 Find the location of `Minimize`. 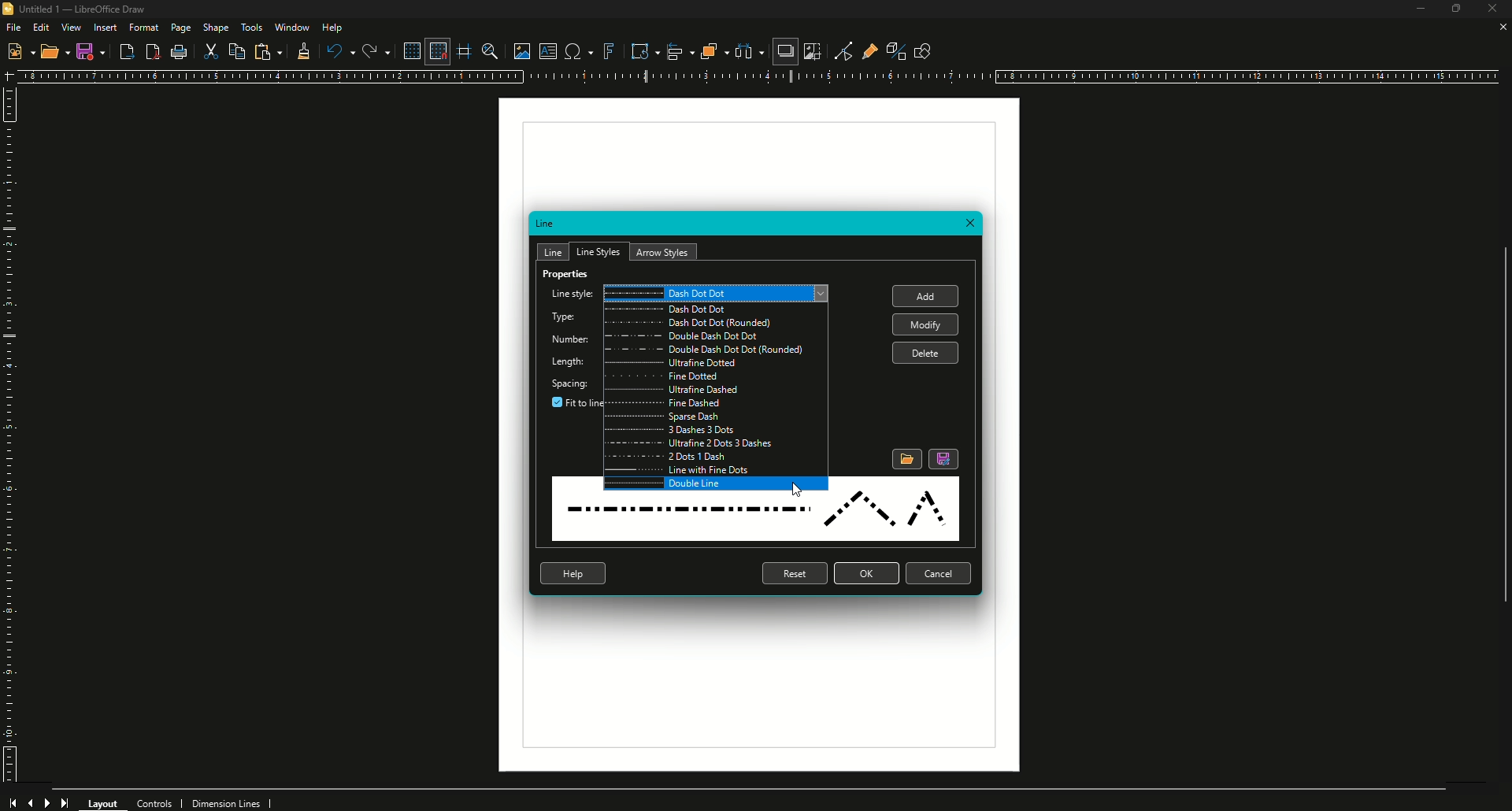

Minimize is located at coordinates (1413, 11).